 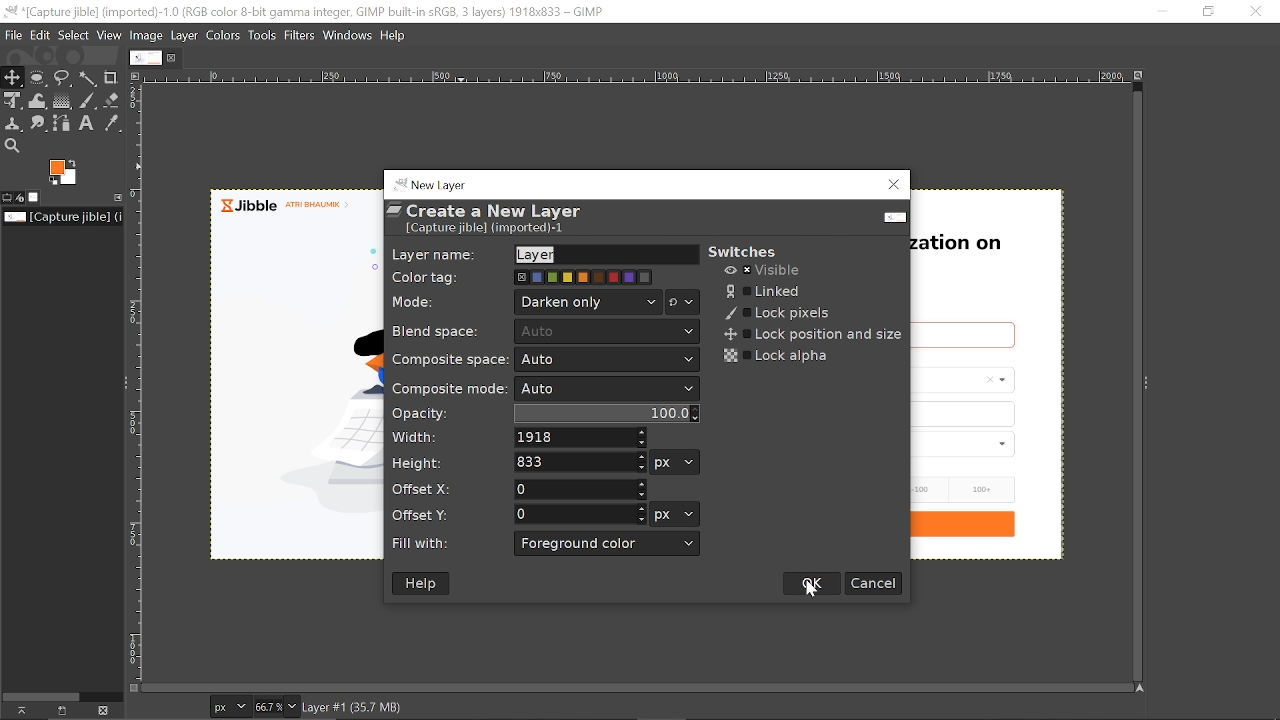 What do you see at coordinates (755, 248) in the screenshot?
I see `Switches` at bounding box center [755, 248].